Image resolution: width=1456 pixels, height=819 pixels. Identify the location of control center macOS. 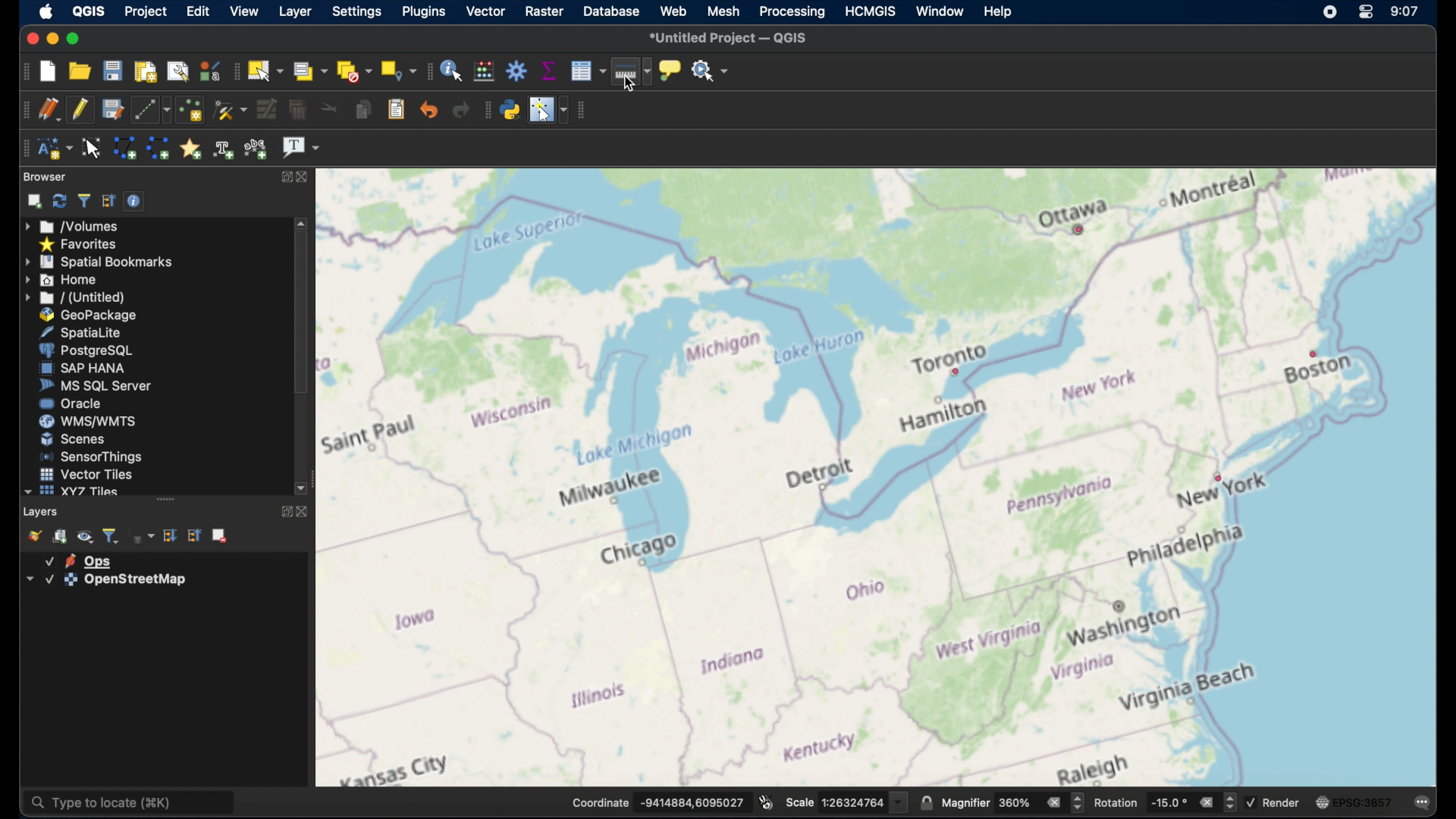
(1364, 13).